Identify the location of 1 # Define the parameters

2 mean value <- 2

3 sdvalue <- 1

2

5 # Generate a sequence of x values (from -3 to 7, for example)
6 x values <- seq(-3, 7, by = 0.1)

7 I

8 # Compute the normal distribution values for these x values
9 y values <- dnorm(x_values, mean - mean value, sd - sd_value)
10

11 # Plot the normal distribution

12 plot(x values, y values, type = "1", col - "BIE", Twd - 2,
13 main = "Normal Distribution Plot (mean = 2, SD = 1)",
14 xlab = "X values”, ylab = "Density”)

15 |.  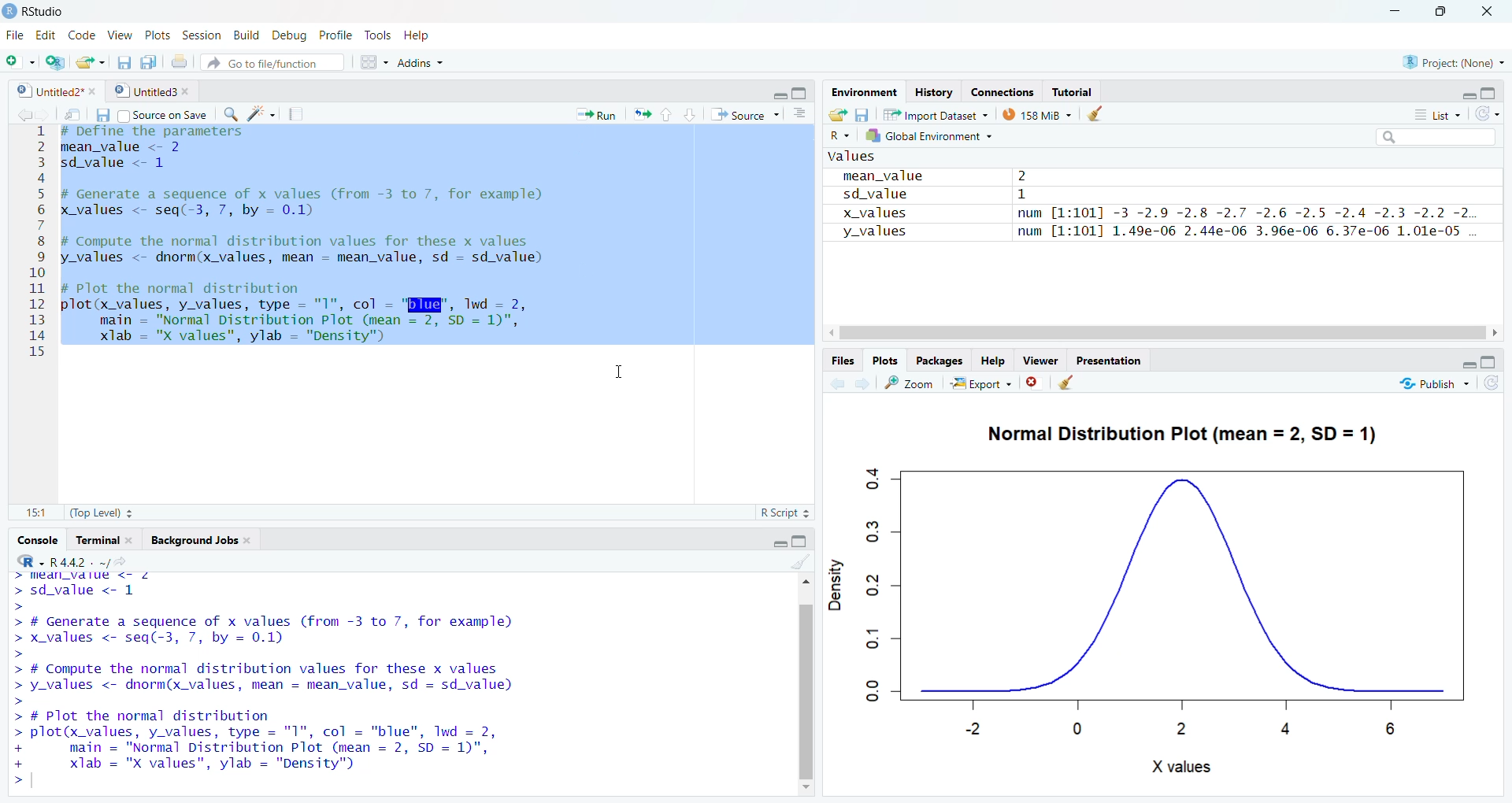
(382, 245).